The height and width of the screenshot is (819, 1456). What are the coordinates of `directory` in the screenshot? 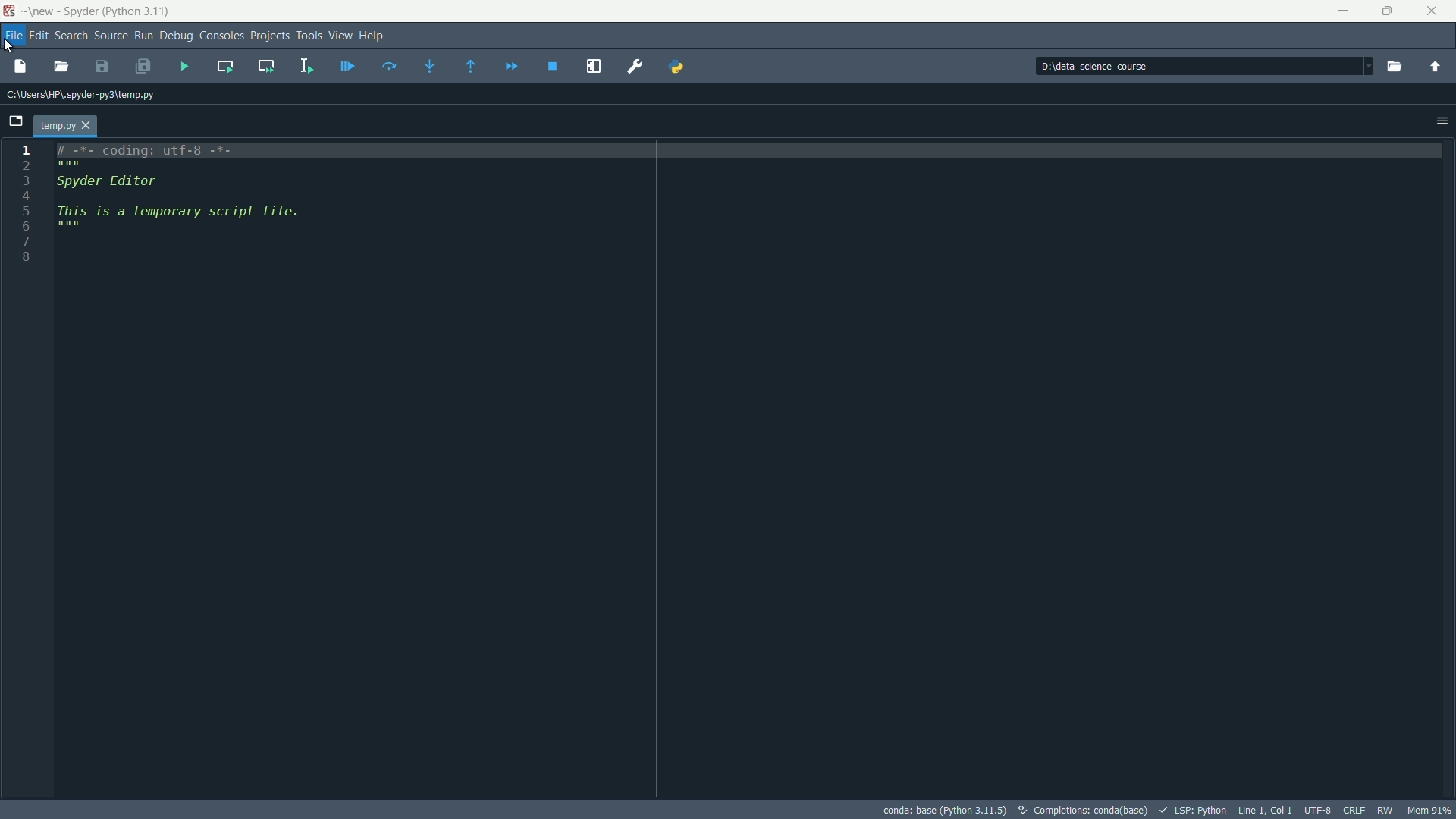 It's located at (1200, 66).